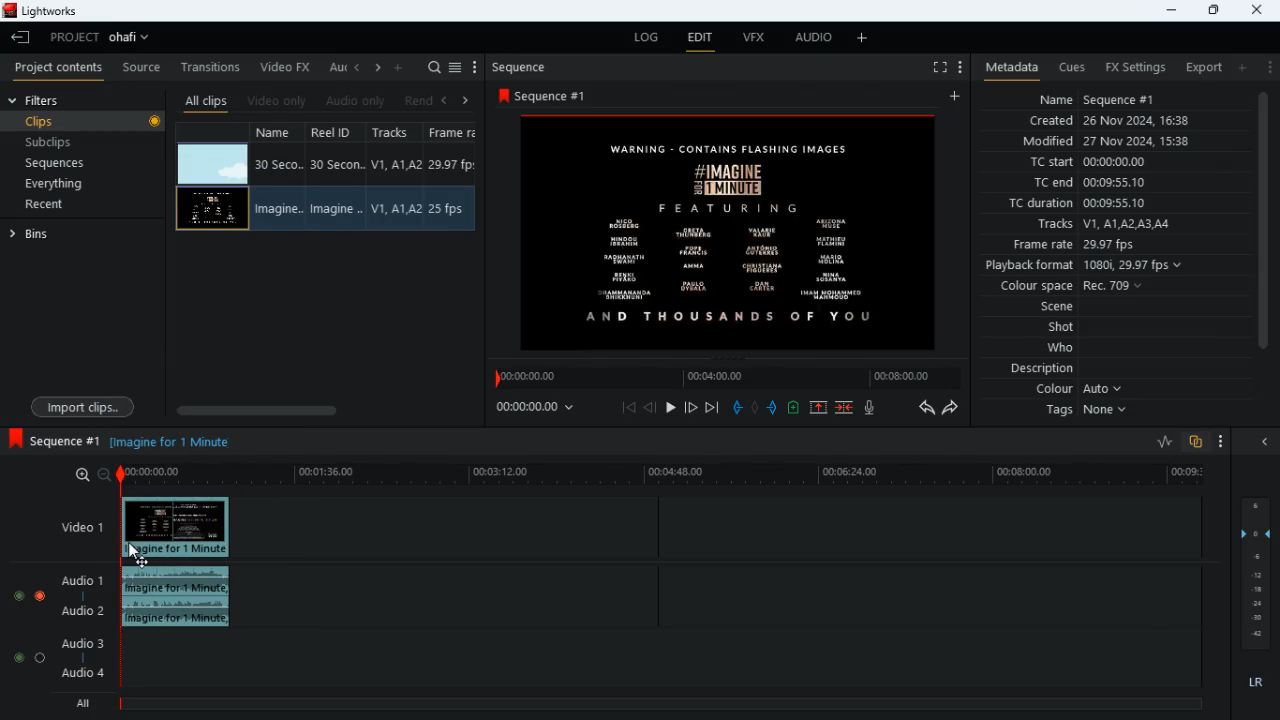 The height and width of the screenshot is (720, 1280). What do you see at coordinates (213, 164) in the screenshot?
I see `videos` at bounding box center [213, 164].